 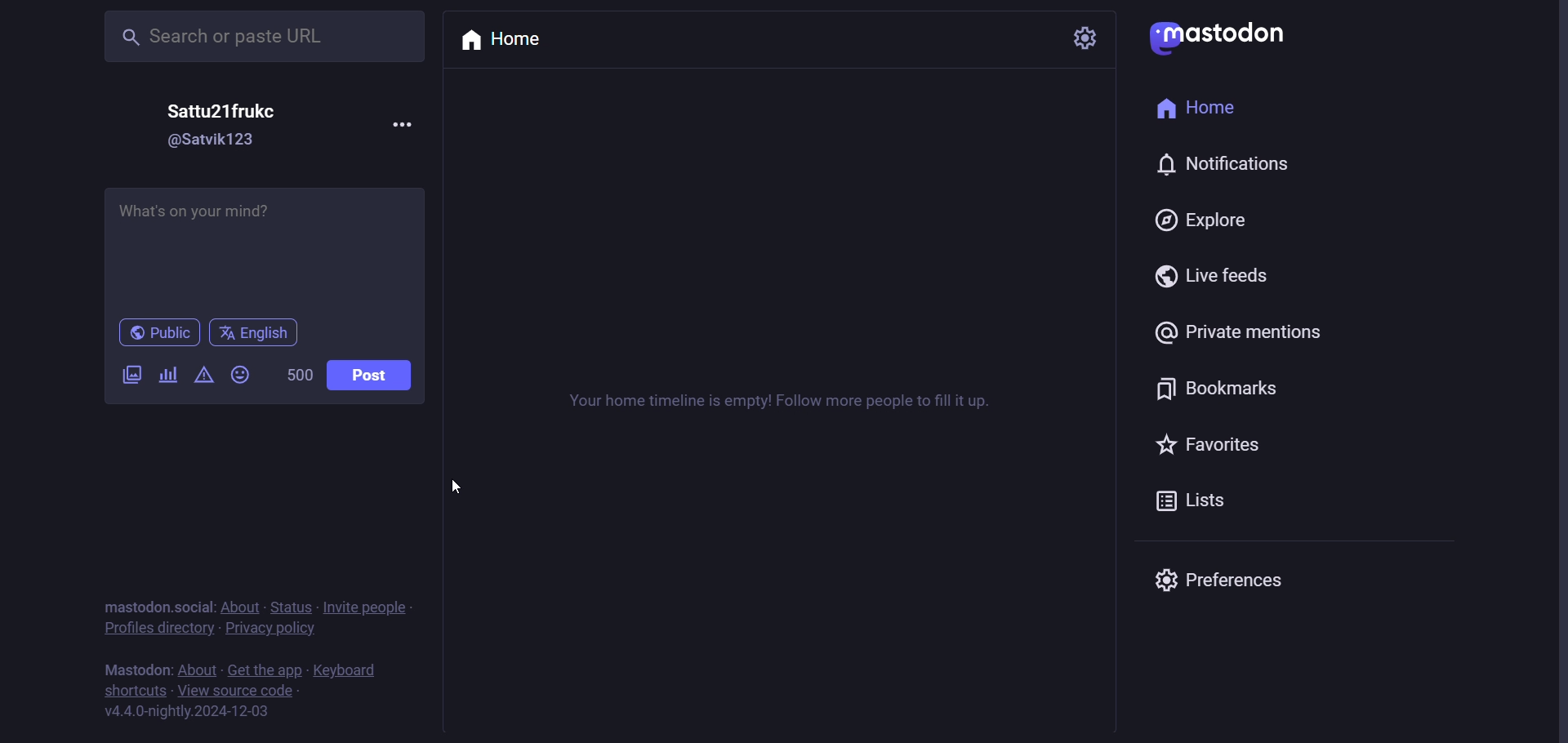 What do you see at coordinates (292, 372) in the screenshot?
I see `500` at bounding box center [292, 372].